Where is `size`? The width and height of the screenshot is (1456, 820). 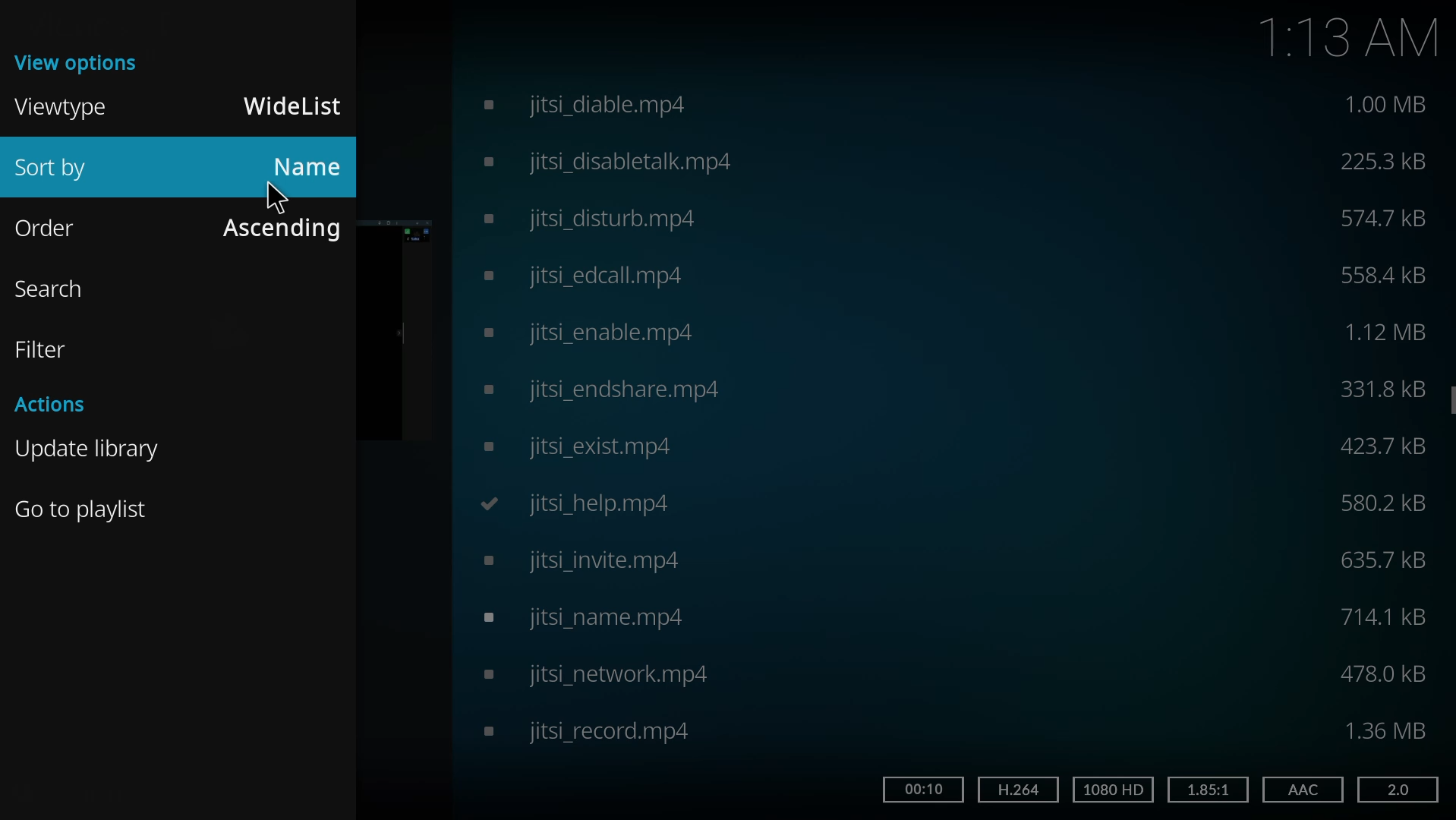 size is located at coordinates (1388, 674).